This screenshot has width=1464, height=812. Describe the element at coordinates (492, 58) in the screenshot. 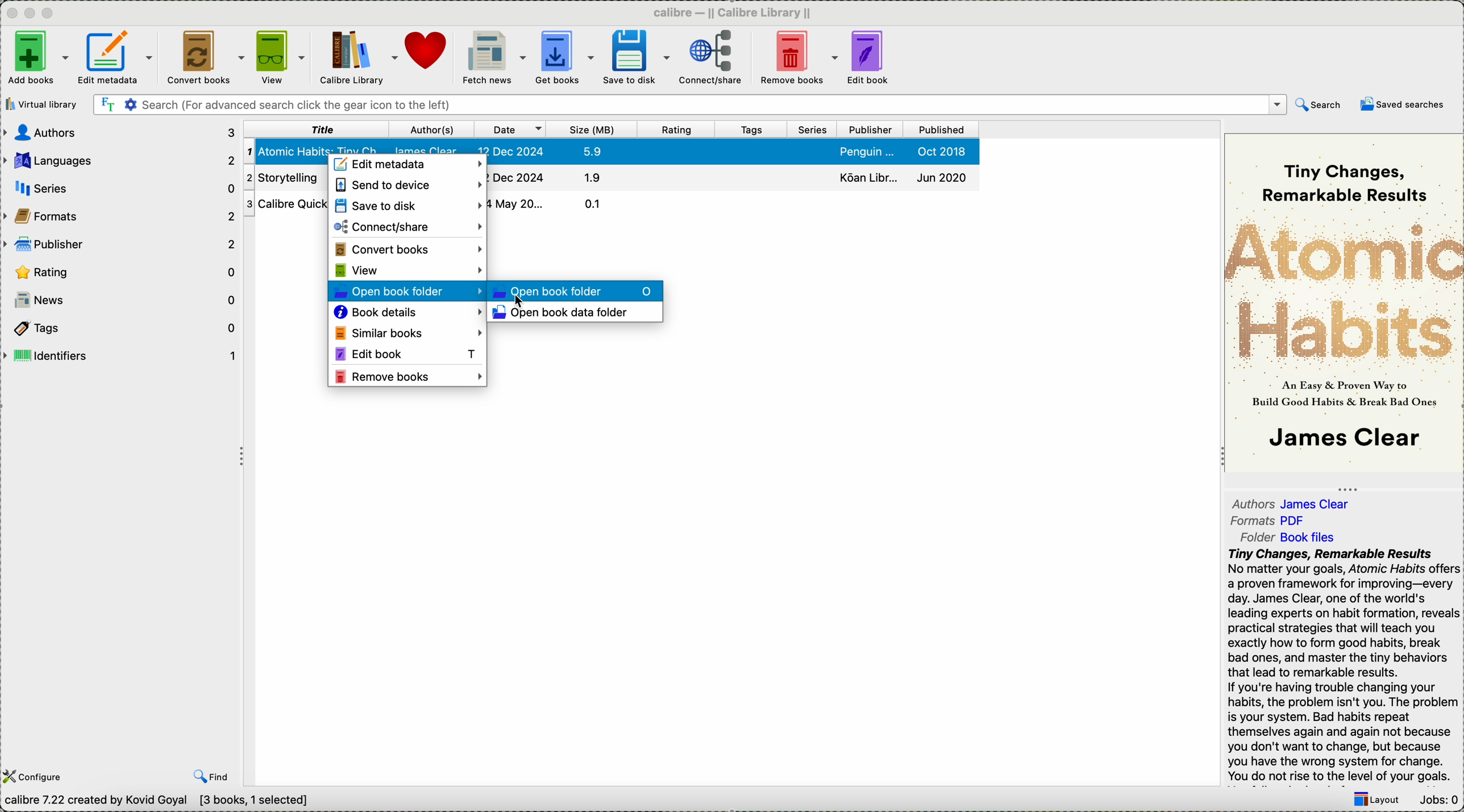

I see `fetch news` at that location.